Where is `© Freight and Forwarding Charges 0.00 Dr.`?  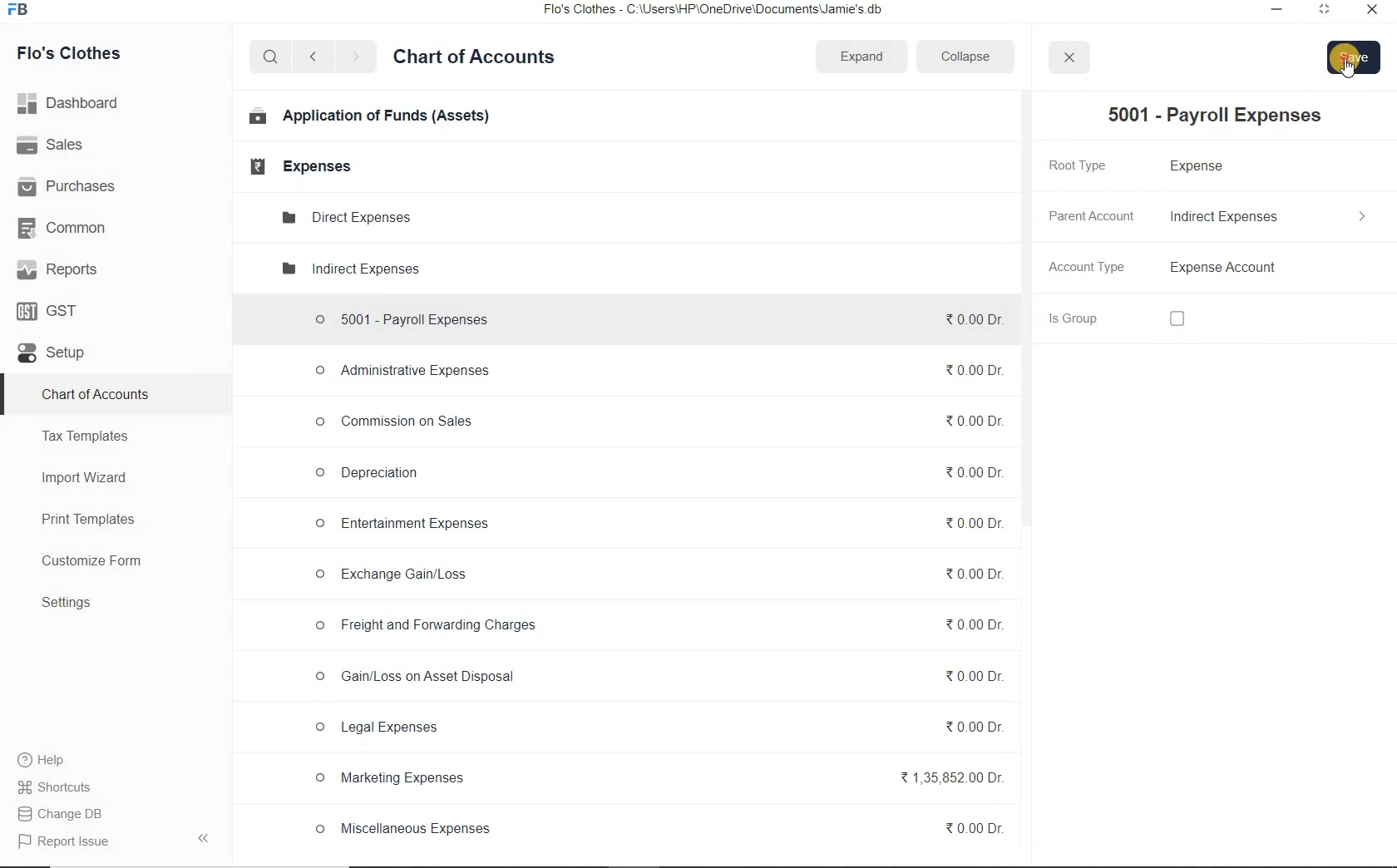
© Freight and Forwarding Charges 0.00 Dr. is located at coordinates (659, 626).